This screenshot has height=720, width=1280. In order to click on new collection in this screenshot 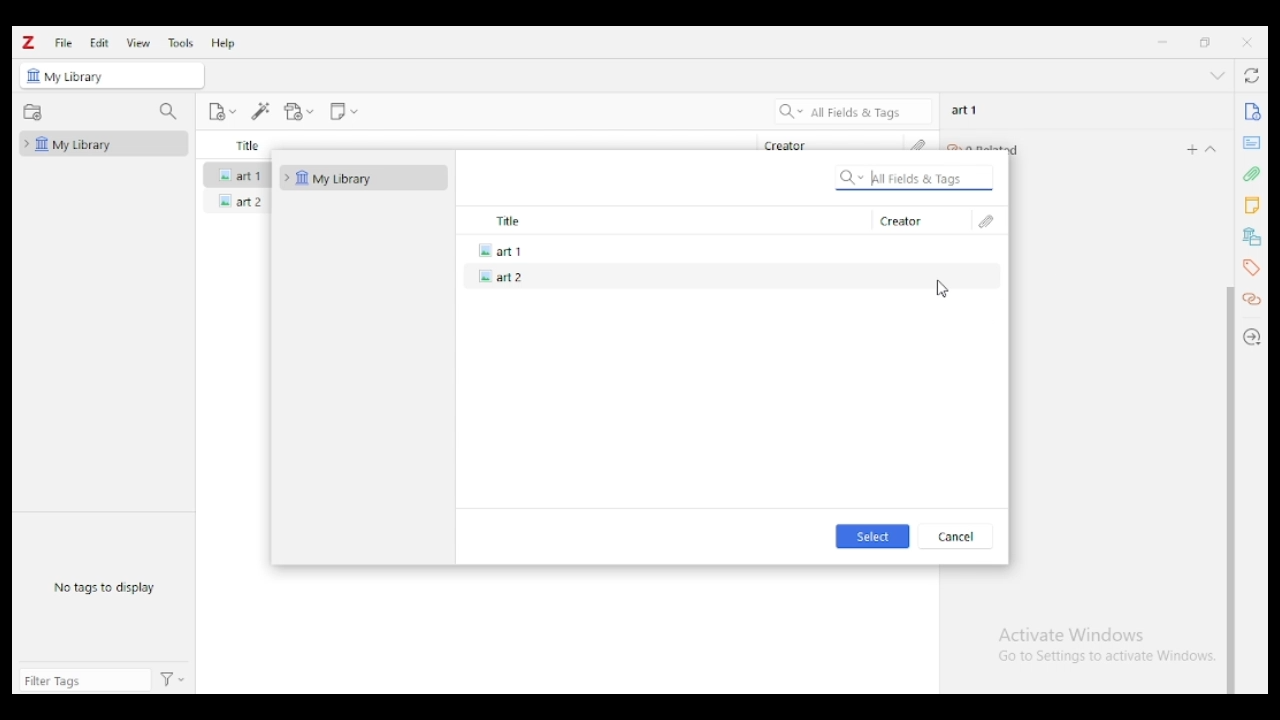, I will do `click(33, 113)`.